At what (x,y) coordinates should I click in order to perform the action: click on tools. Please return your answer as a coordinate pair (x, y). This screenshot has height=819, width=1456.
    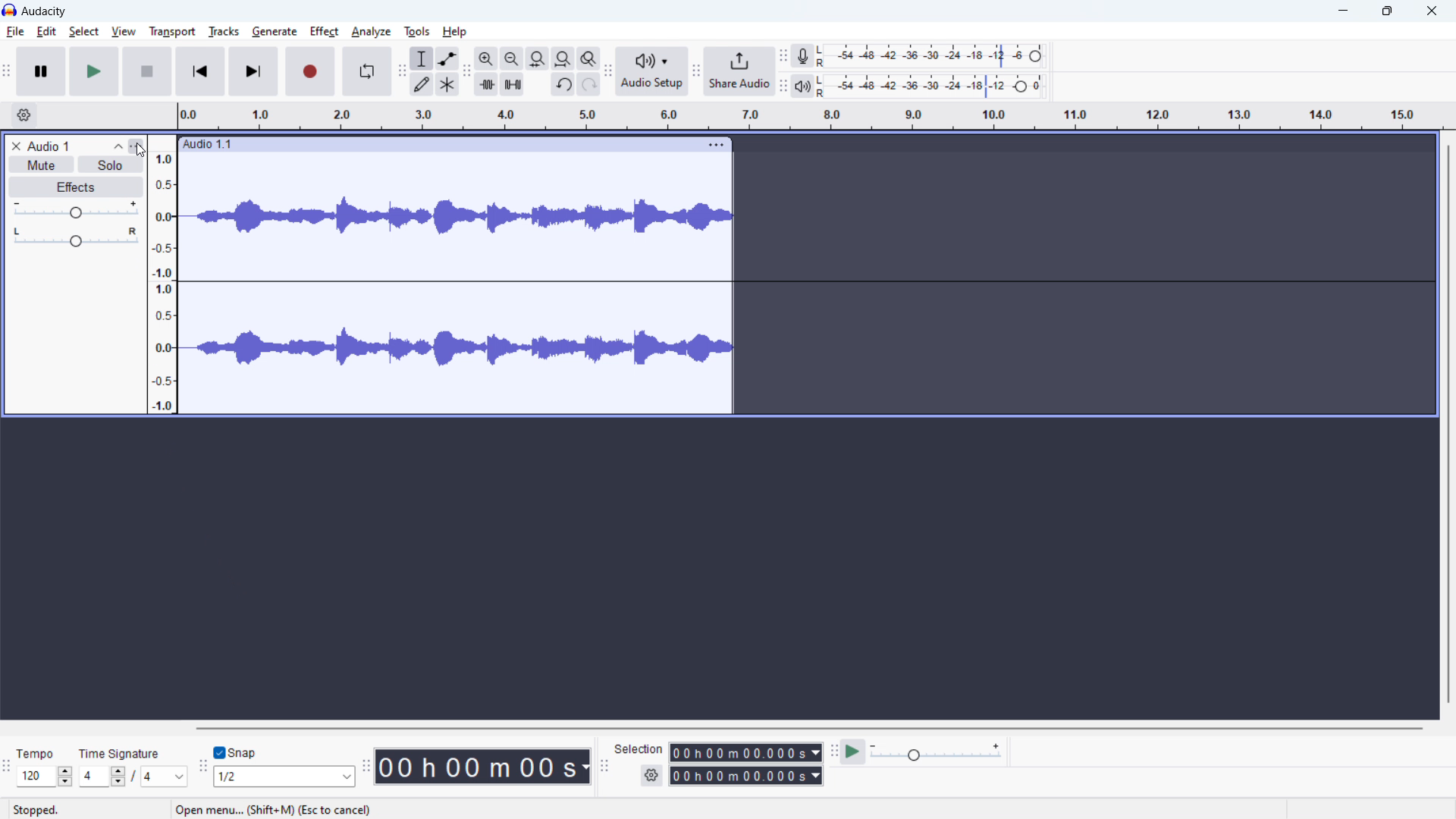
    Looking at the image, I should click on (417, 32).